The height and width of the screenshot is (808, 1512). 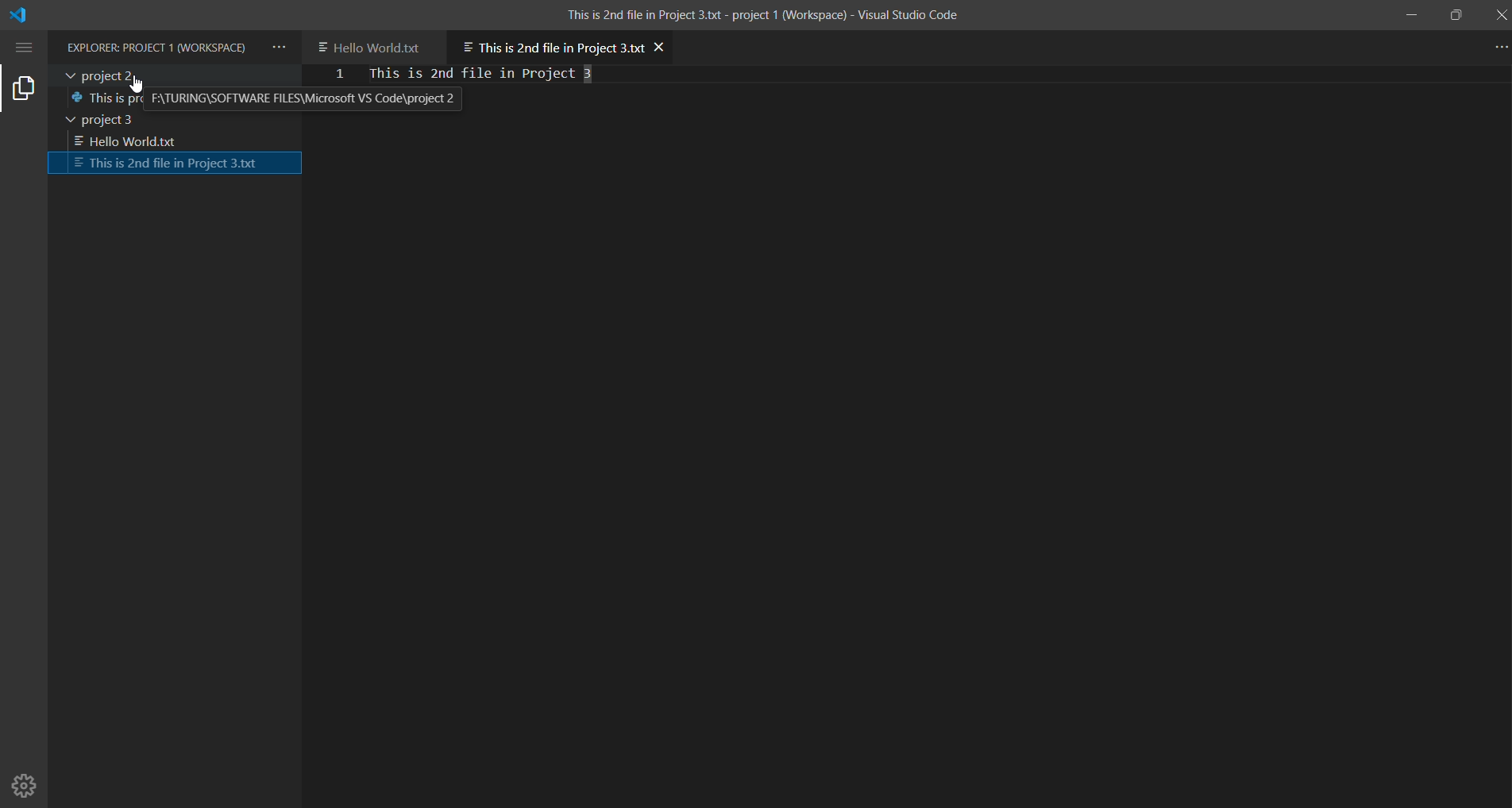 What do you see at coordinates (172, 75) in the screenshot?
I see `project 2` at bounding box center [172, 75].